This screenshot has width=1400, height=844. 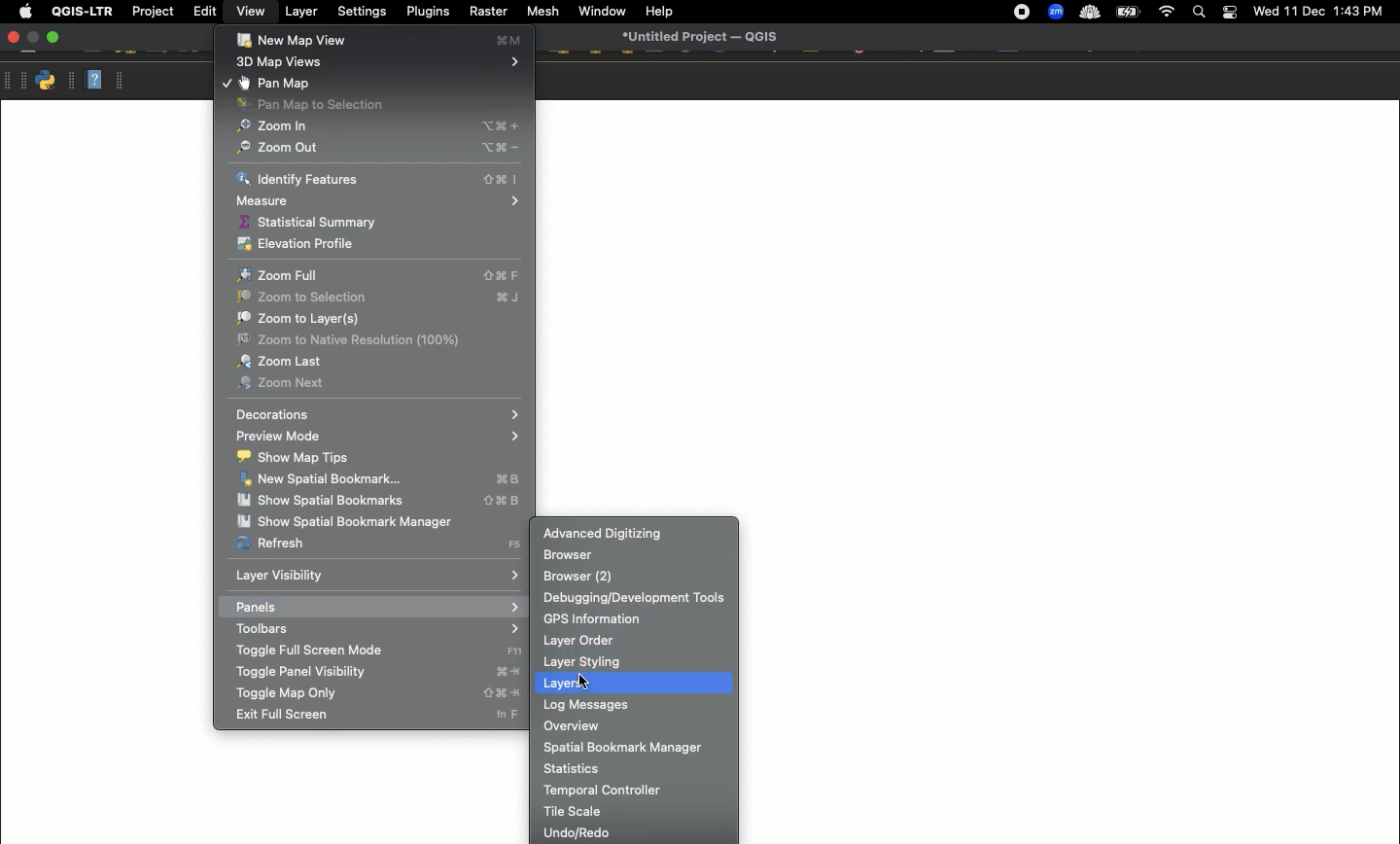 I want to click on , so click(x=121, y=82).